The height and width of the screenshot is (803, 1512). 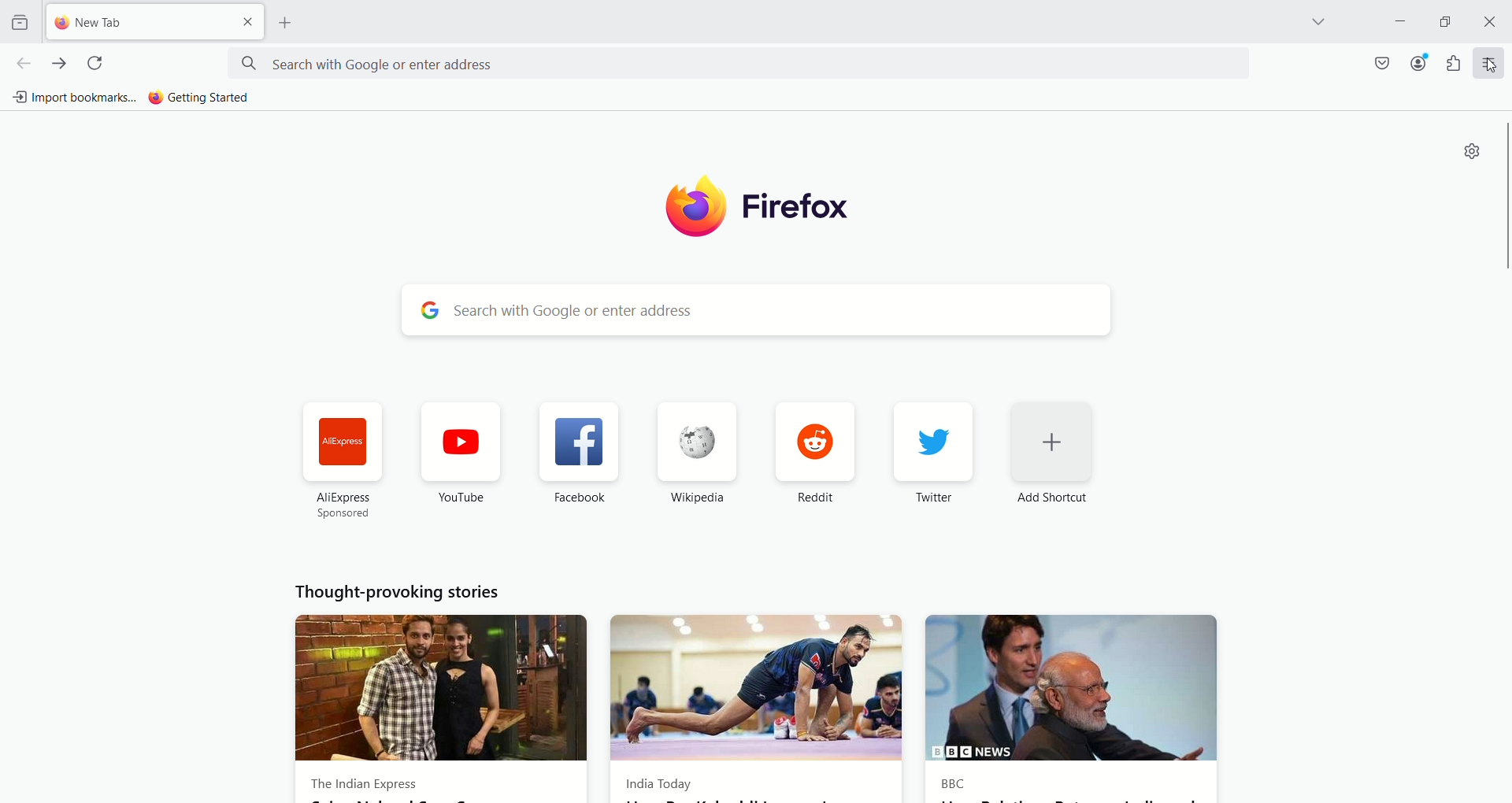 What do you see at coordinates (471, 453) in the screenshot?
I see `Youtube` at bounding box center [471, 453].